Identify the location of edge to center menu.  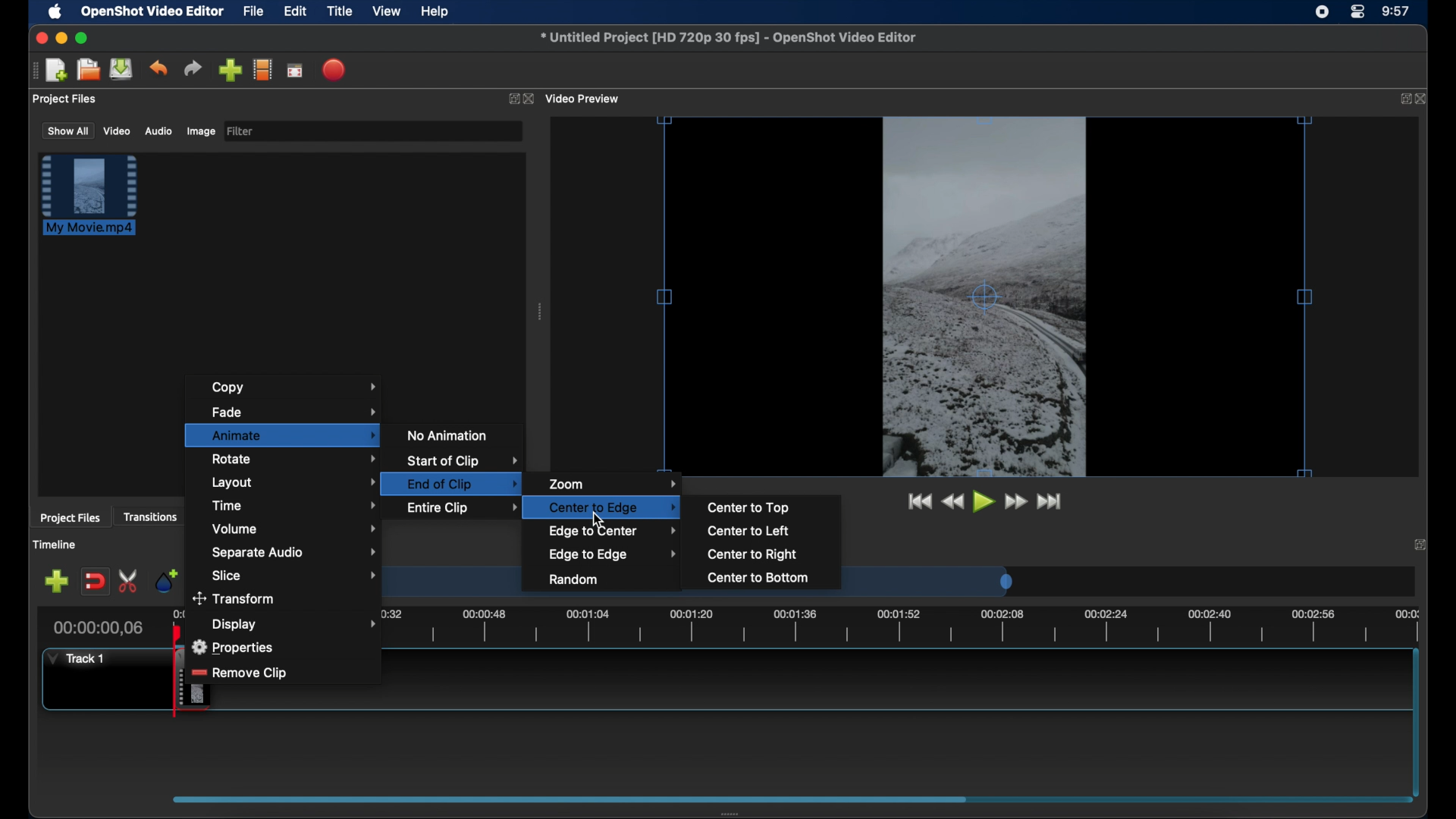
(613, 532).